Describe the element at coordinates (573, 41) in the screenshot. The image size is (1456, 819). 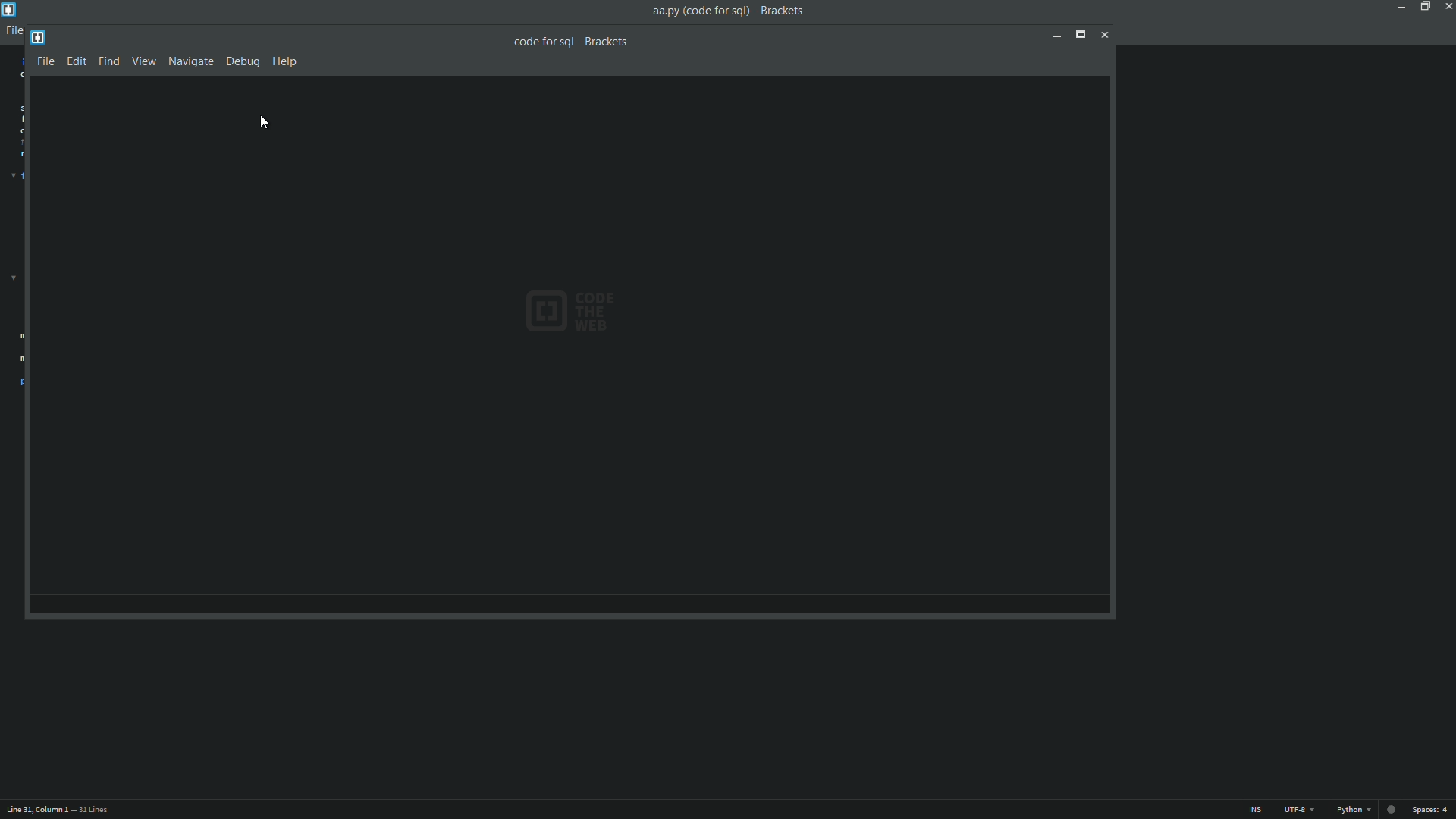
I see `file name` at that location.